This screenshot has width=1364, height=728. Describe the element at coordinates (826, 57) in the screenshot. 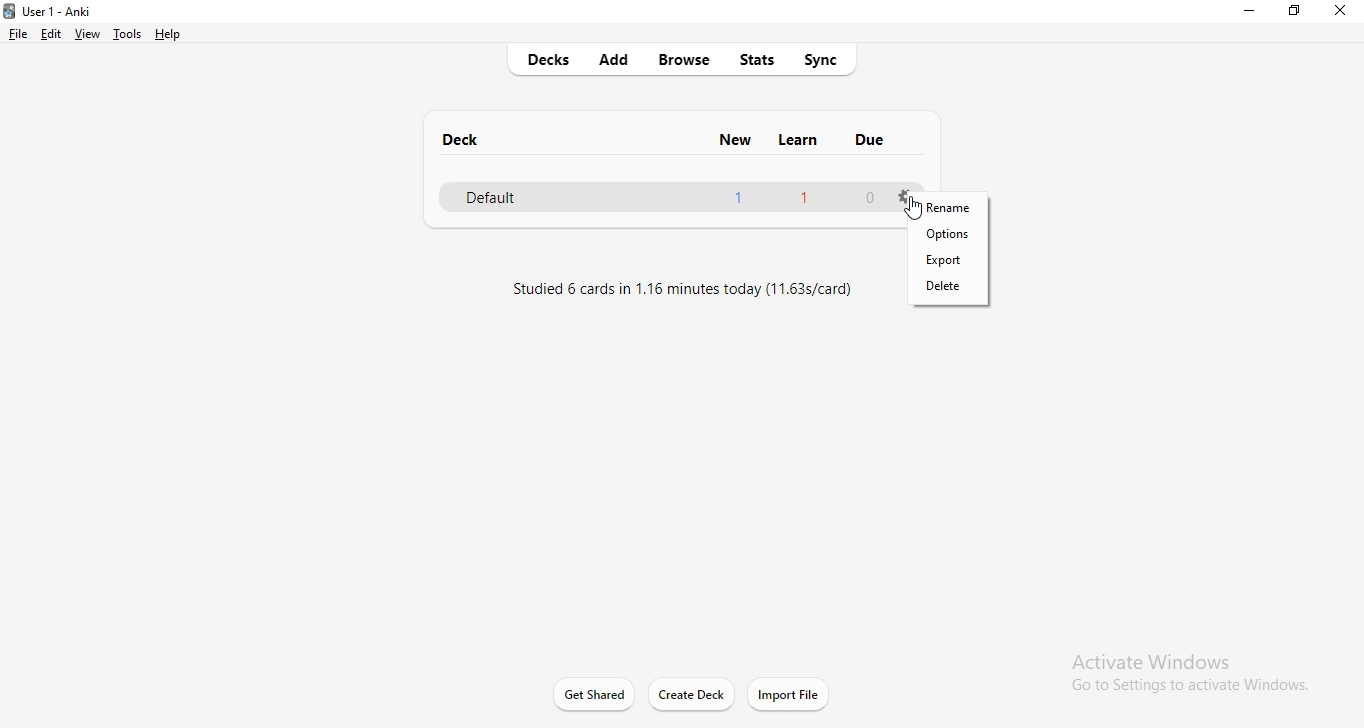

I see `sync` at that location.